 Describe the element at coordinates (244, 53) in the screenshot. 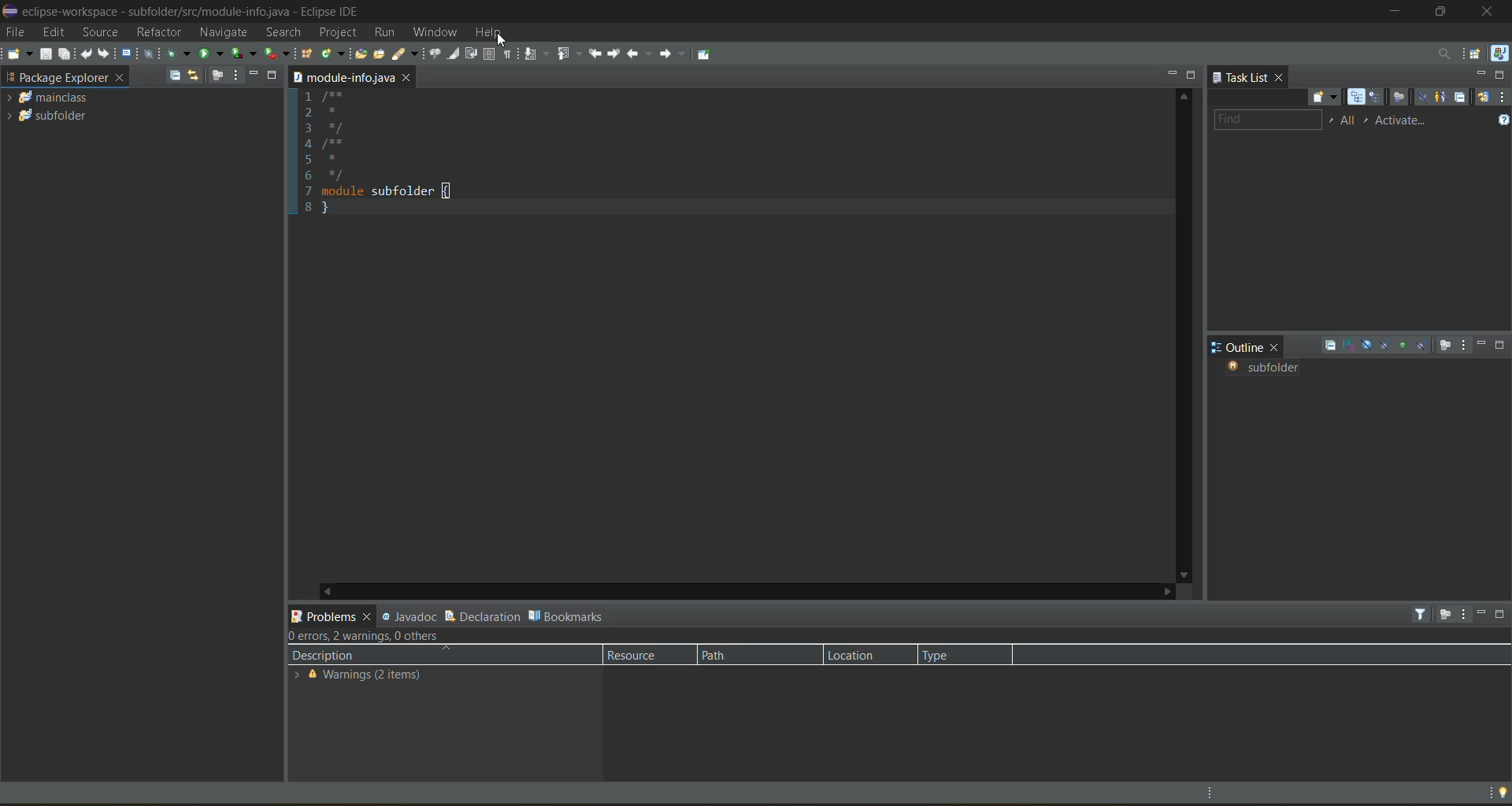

I see `coverage` at that location.